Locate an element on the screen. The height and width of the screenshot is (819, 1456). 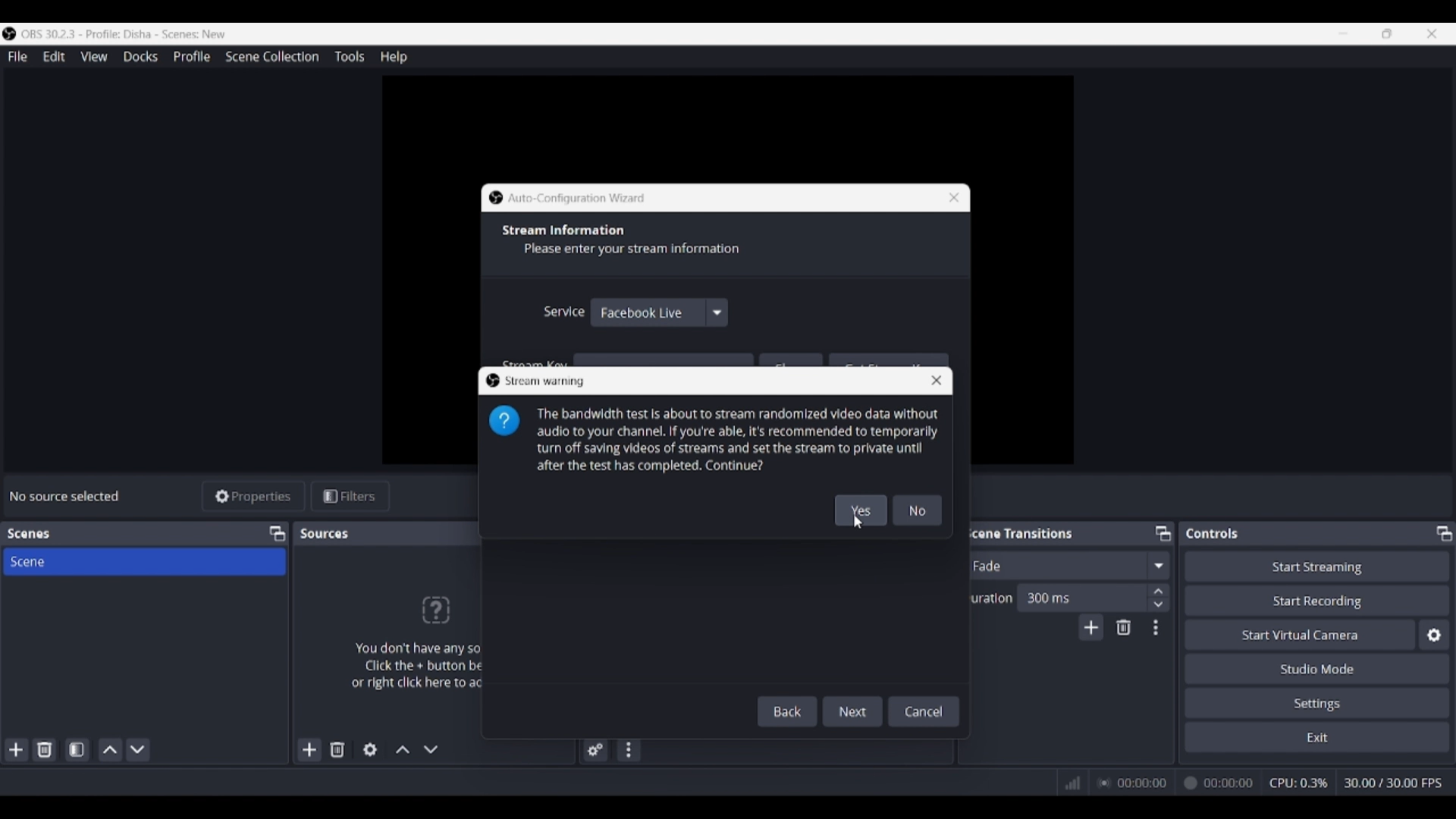
Add source is located at coordinates (310, 749).